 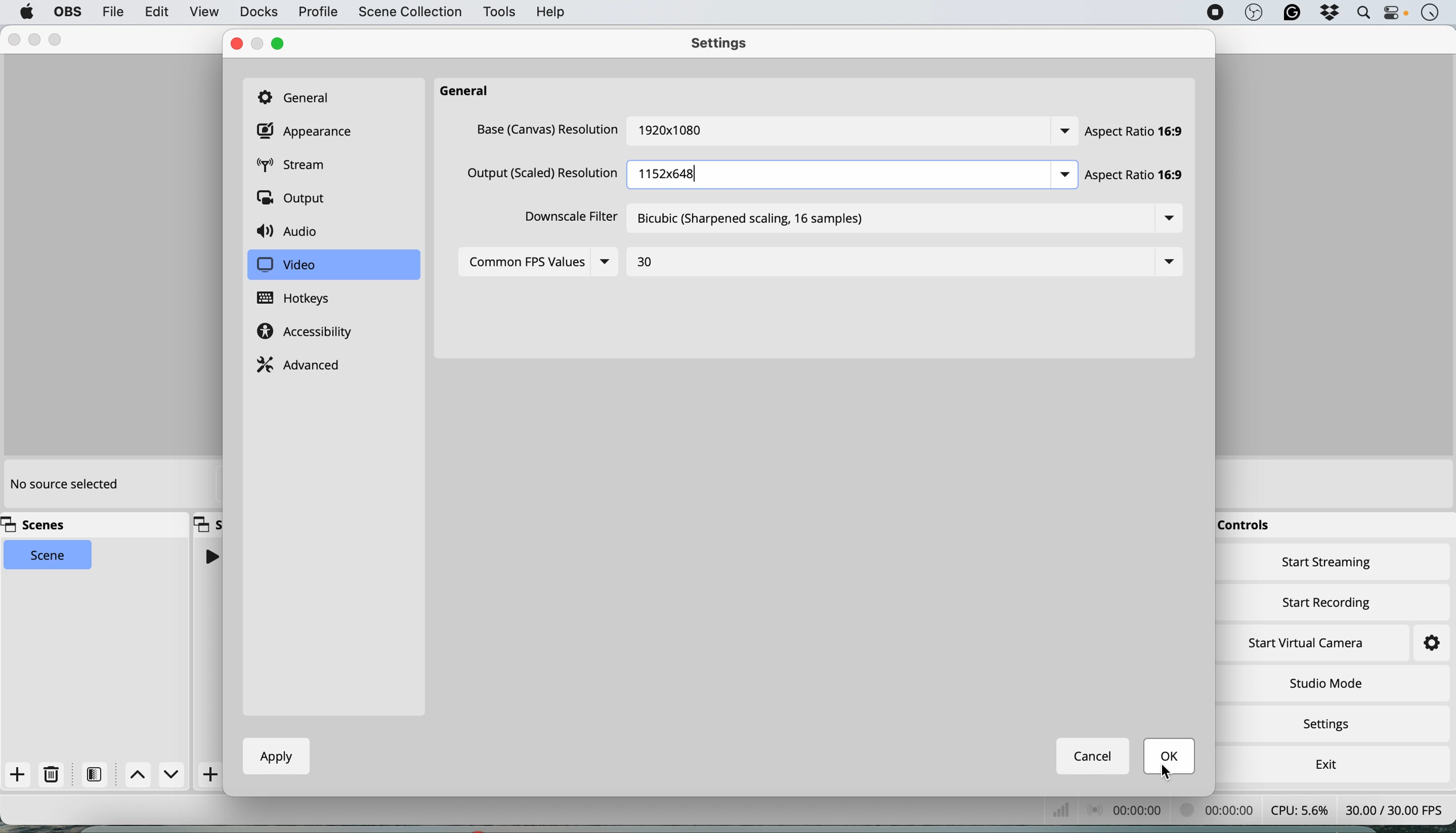 I want to click on audio, so click(x=292, y=232).